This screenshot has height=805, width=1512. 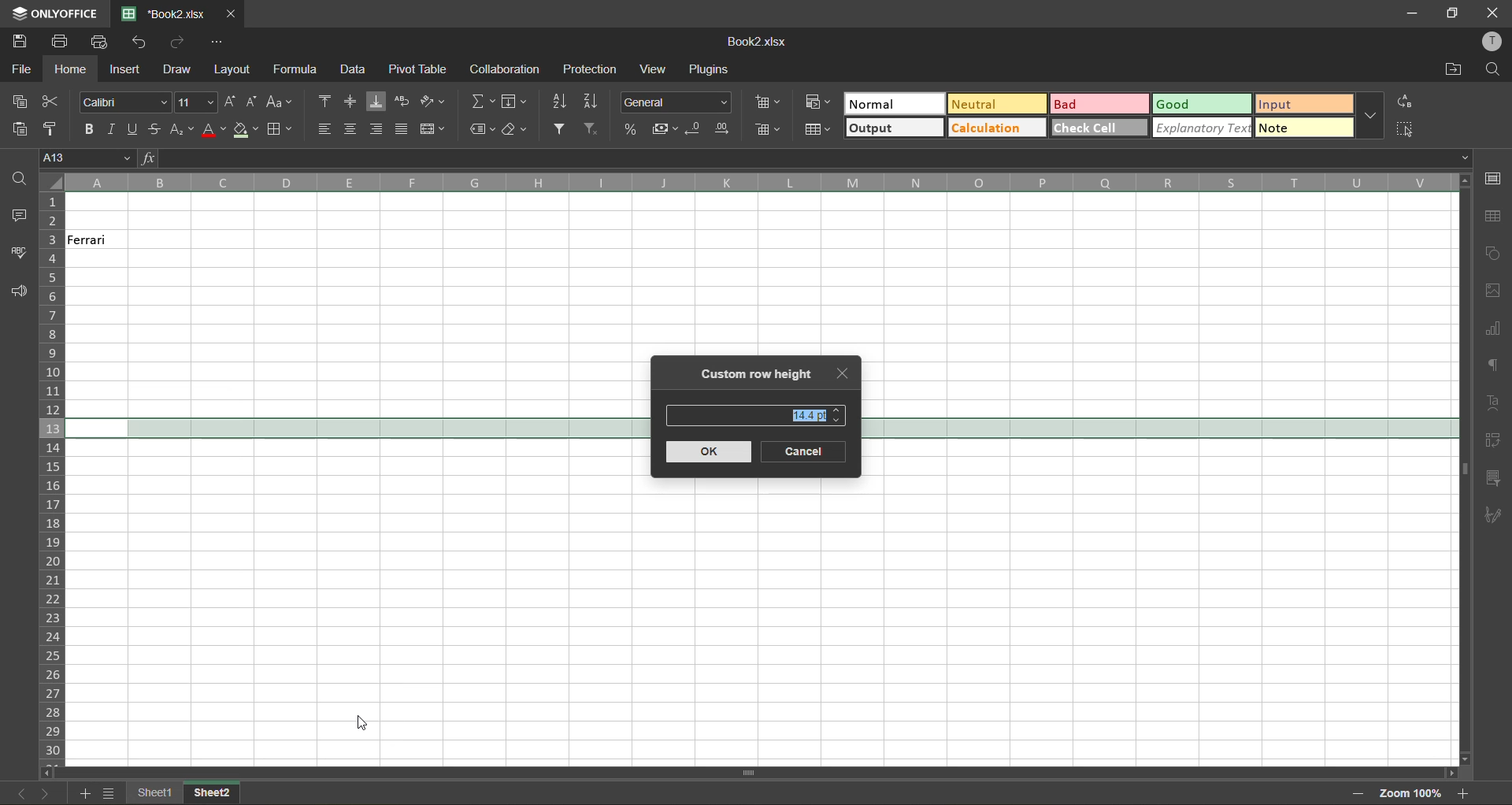 What do you see at coordinates (1302, 103) in the screenshot?
I see `input` at bounding box center [1302, 103].